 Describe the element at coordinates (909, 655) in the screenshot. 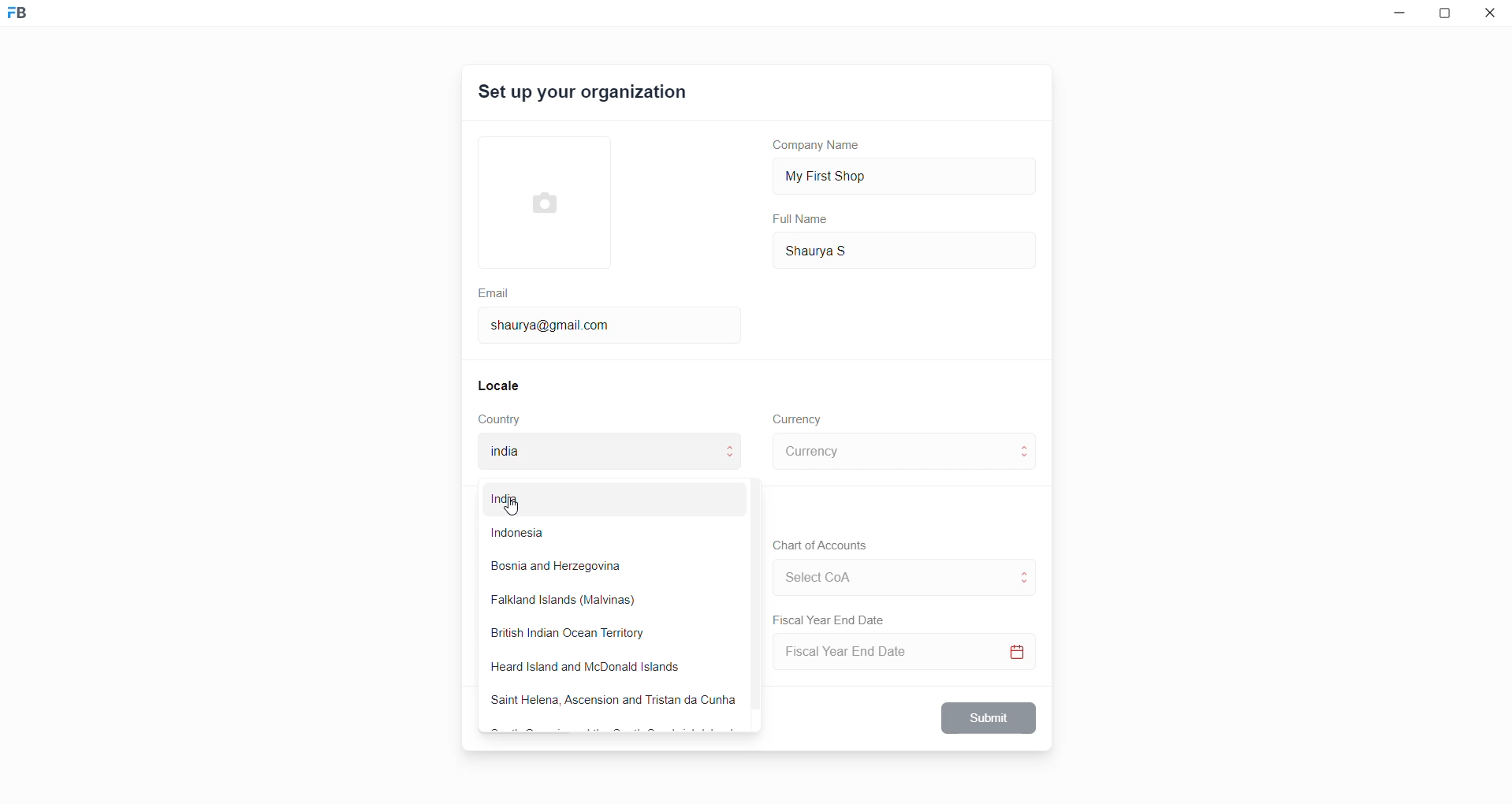

I see `Select Fiscal Year End Date` at that location.